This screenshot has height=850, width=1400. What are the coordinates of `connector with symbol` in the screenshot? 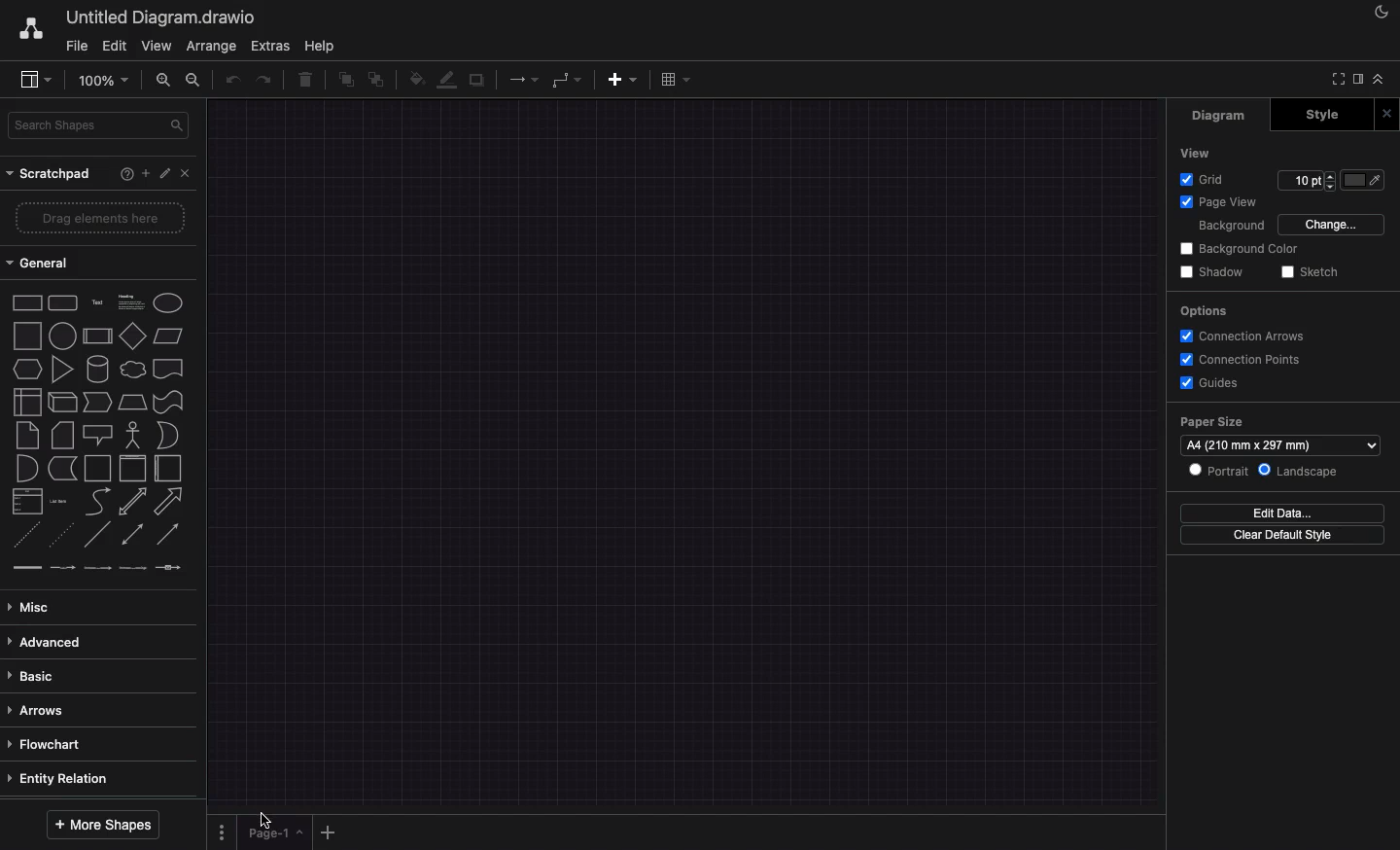 It's located at (169, 566).